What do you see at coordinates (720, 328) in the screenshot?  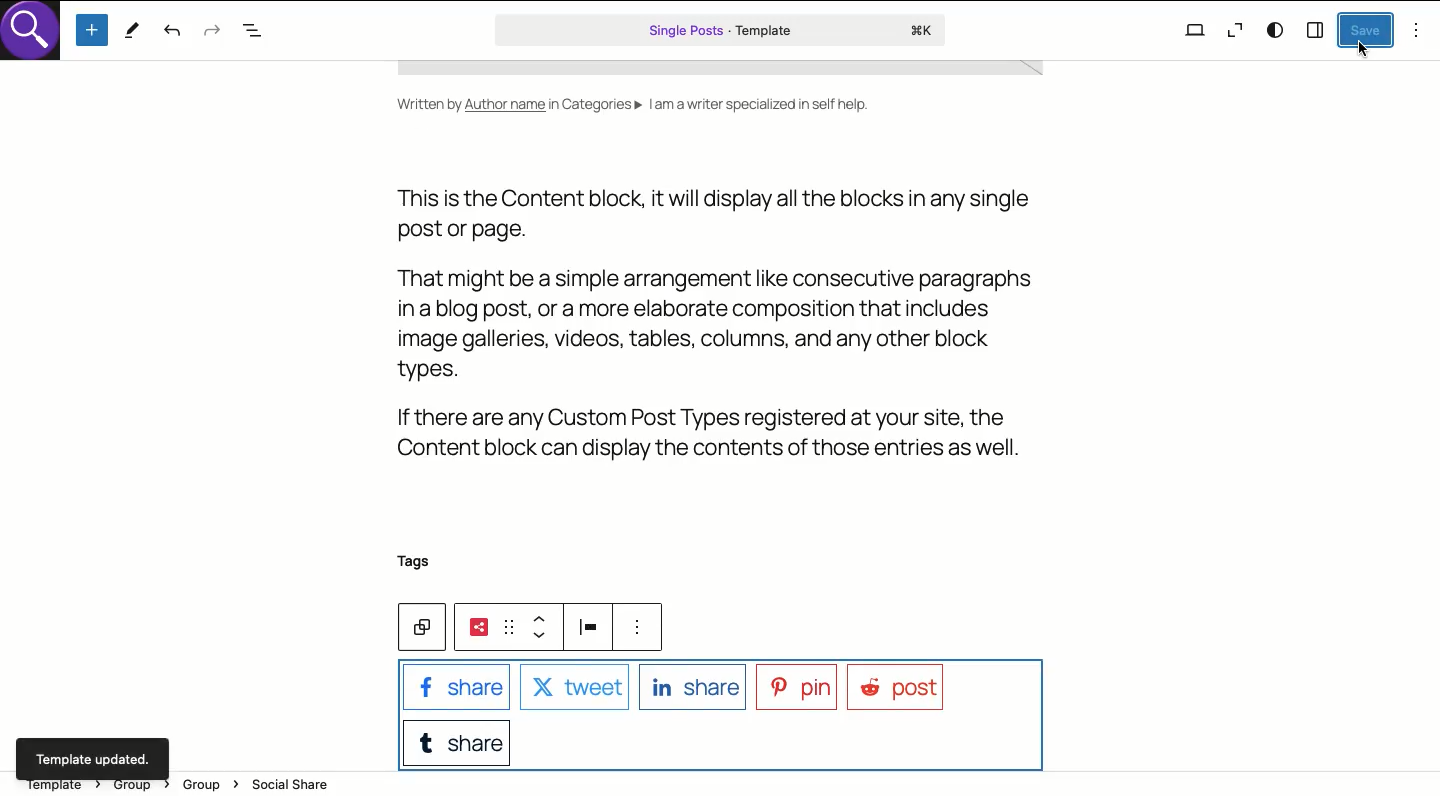 I see `This is the Content block, it will display all the blocks in any single
post or page.

That might be a simple arrangement like consecutive paragraphs
ina blog post, or a more elaborate composition that includes
image galleries, videos, tables, columns, and any other block
types.

If there are any Custom Post Types registered at your site, the
Content block can display the contents of those entries as well.` at bounding box center [720, 328].